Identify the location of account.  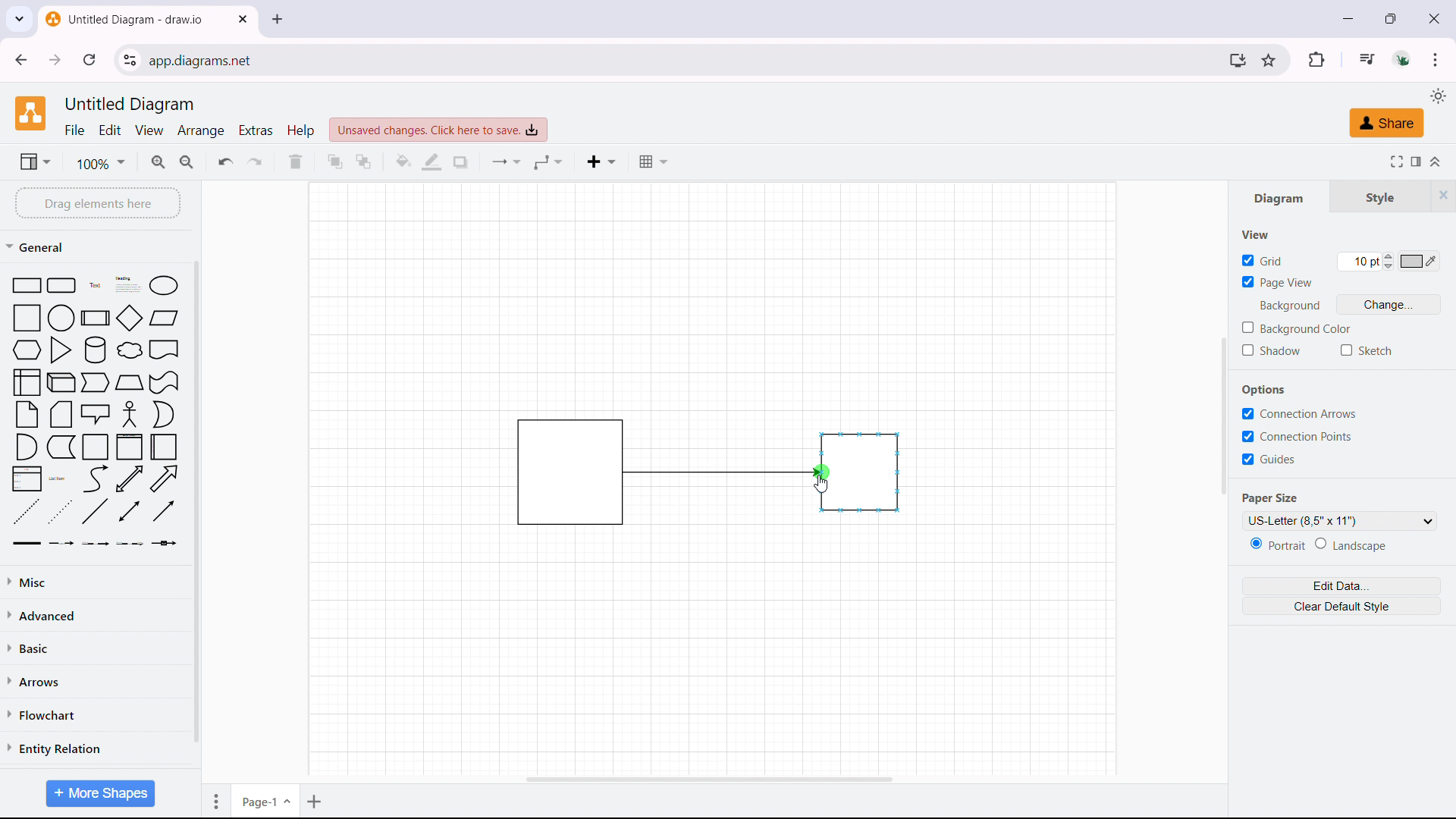
(1404, 59).